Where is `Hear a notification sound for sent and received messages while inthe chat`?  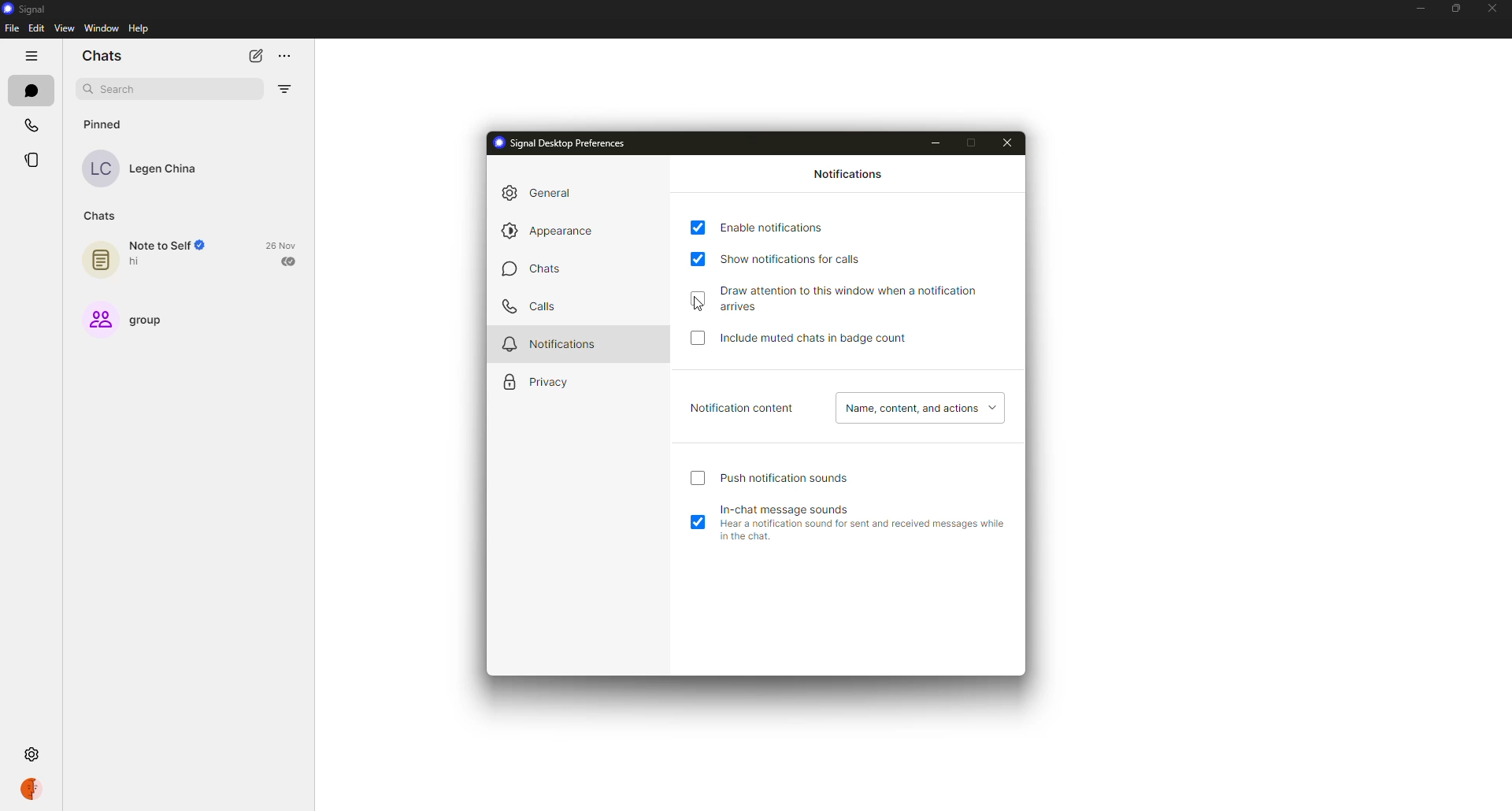 Hear a notification sound for sent and received messages while inthe chat is located at coordinates (860, 534).